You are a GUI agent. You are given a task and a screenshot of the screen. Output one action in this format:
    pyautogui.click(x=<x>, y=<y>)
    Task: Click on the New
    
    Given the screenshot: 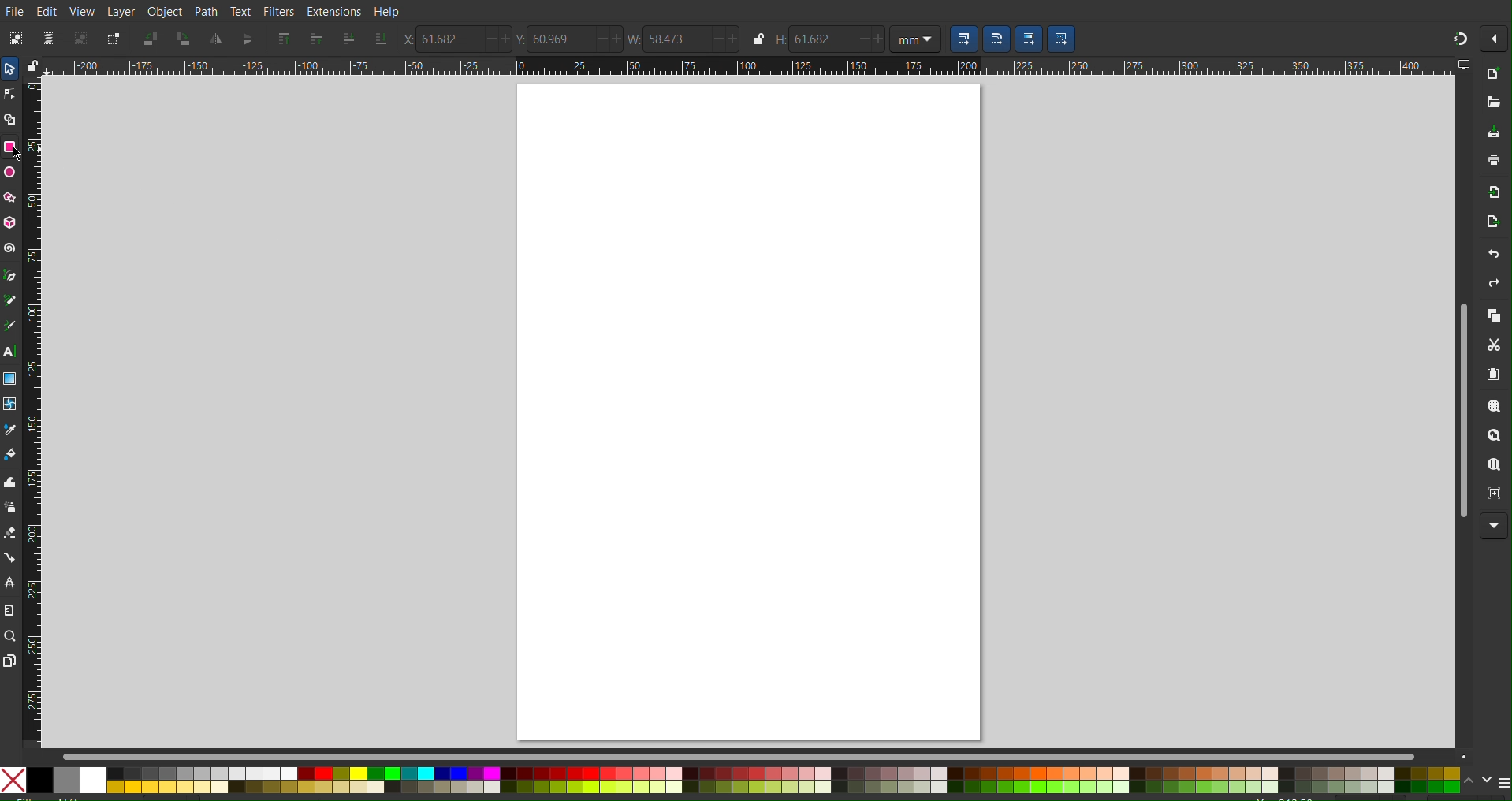 What is the action you would take?
    pyautogui.click(x=1493, y=75)
    